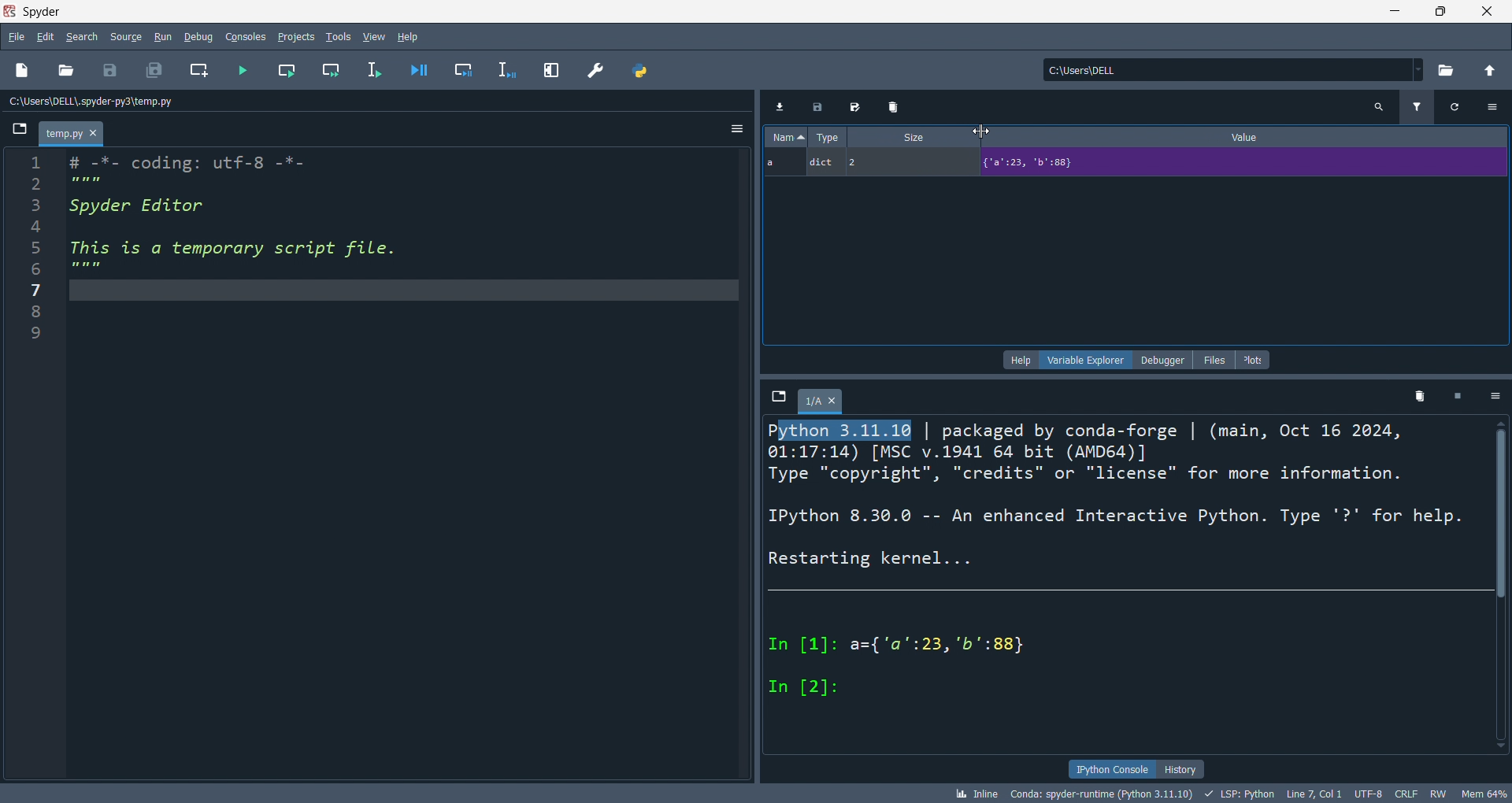 The image size is (1512, 803). I want to click on tools, so click(334, 36).